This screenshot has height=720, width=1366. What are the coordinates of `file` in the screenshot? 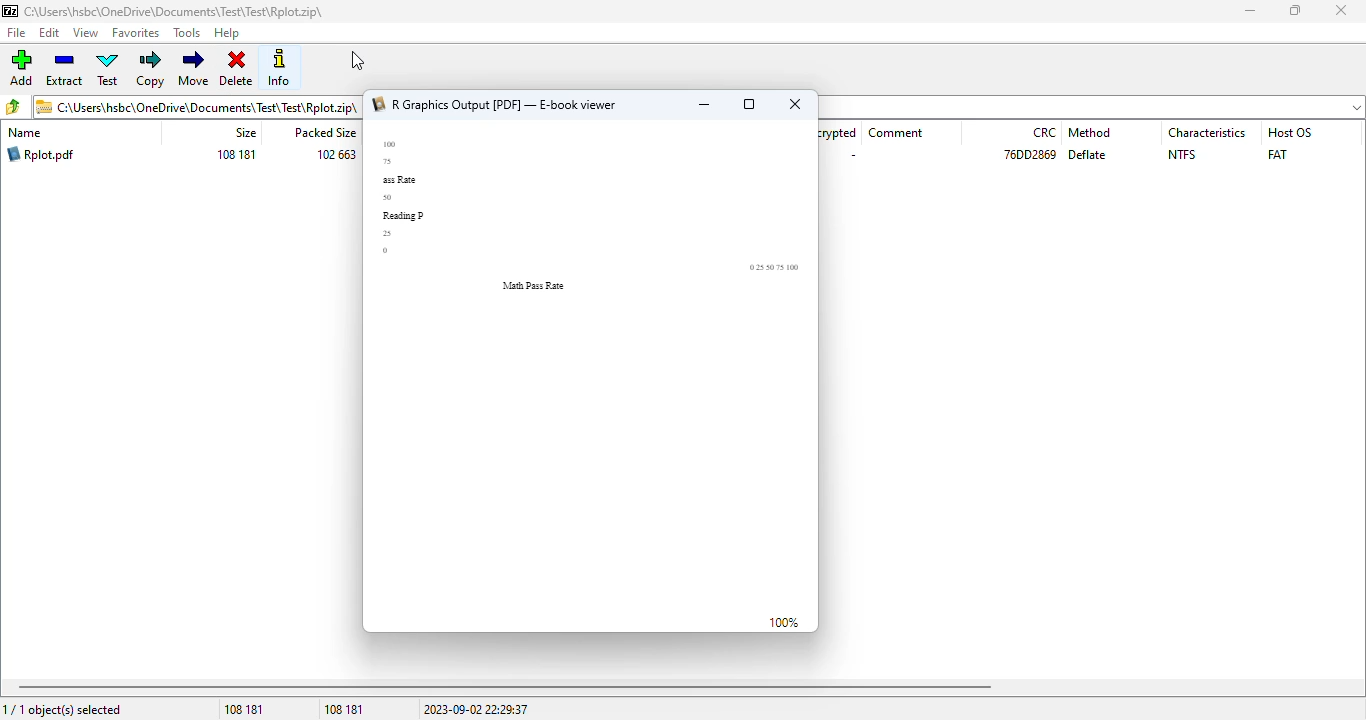 It's located at (17, 32).